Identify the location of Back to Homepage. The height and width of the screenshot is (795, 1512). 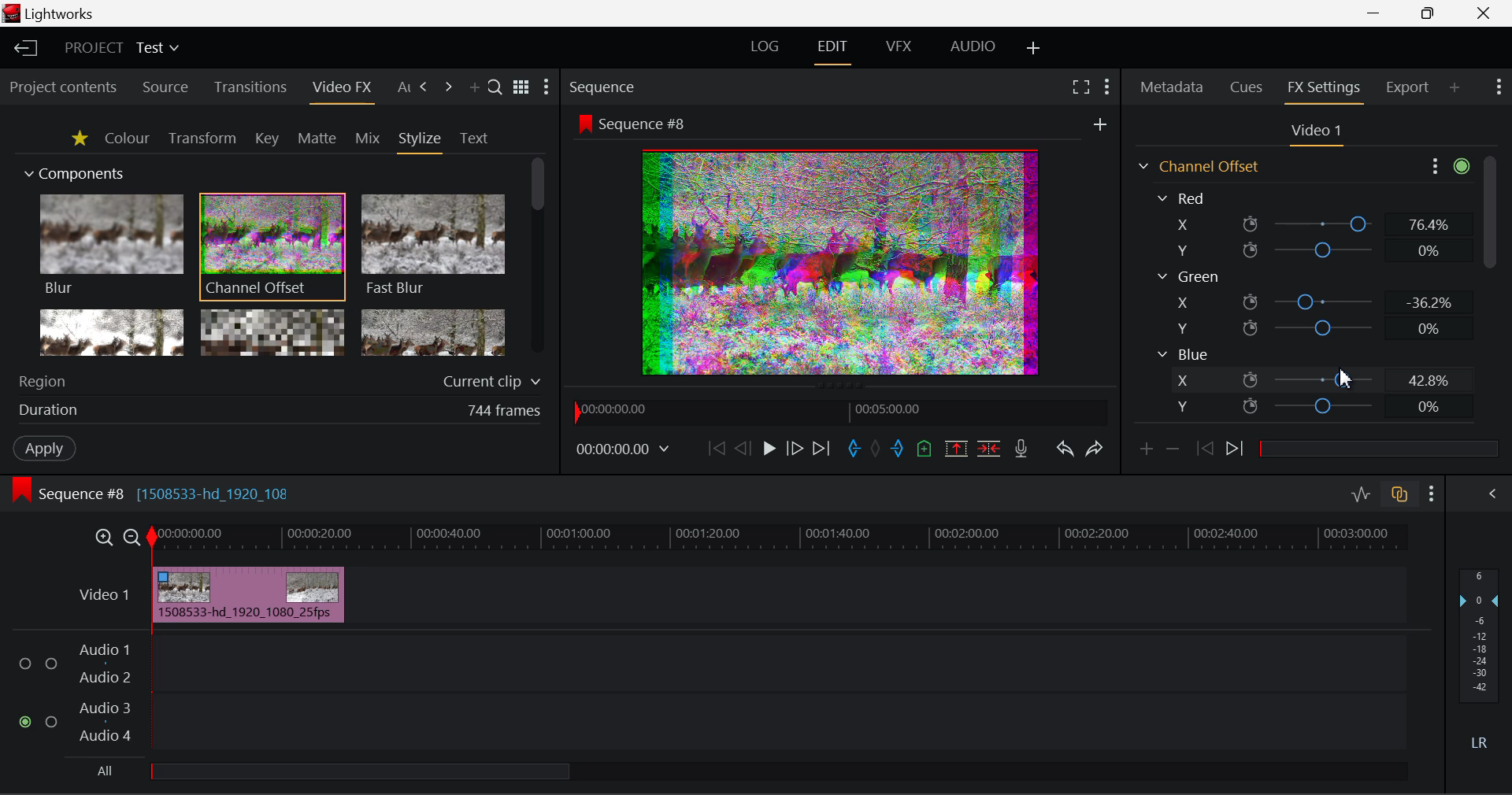
(24, 49).